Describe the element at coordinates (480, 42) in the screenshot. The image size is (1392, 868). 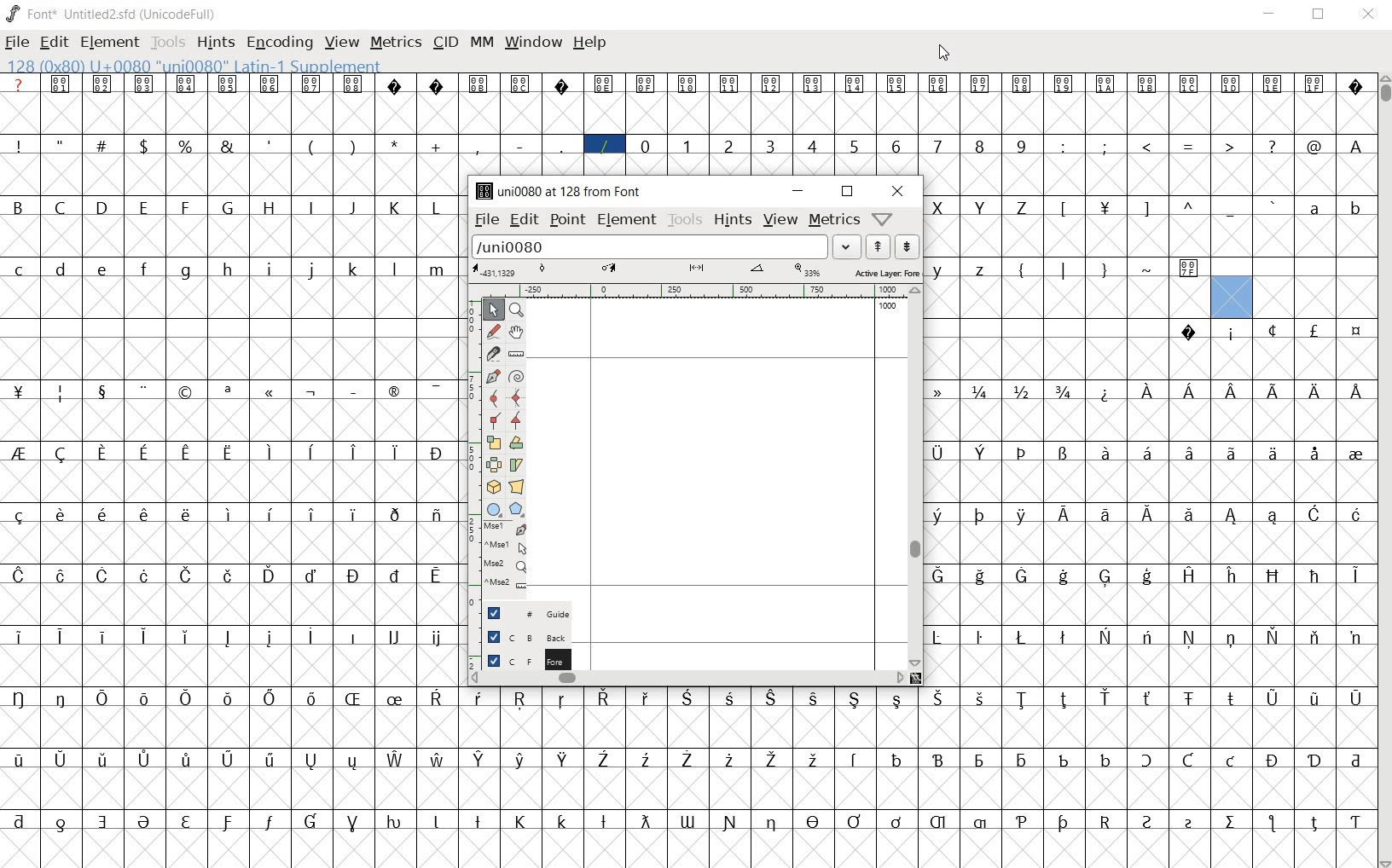
I see `MM` at that location.